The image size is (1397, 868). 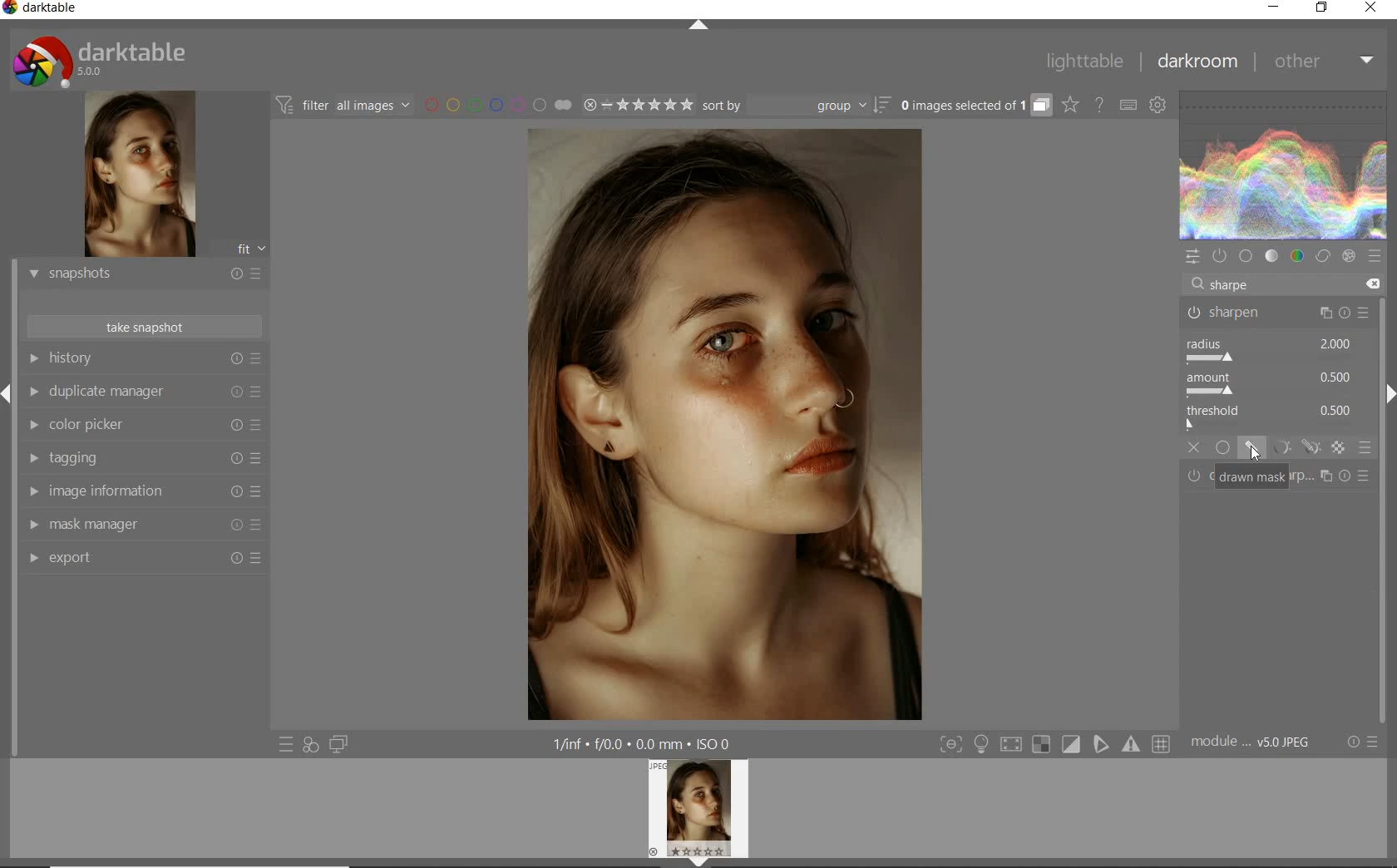 I want to click on OFF, so click(x=1195, y=447).